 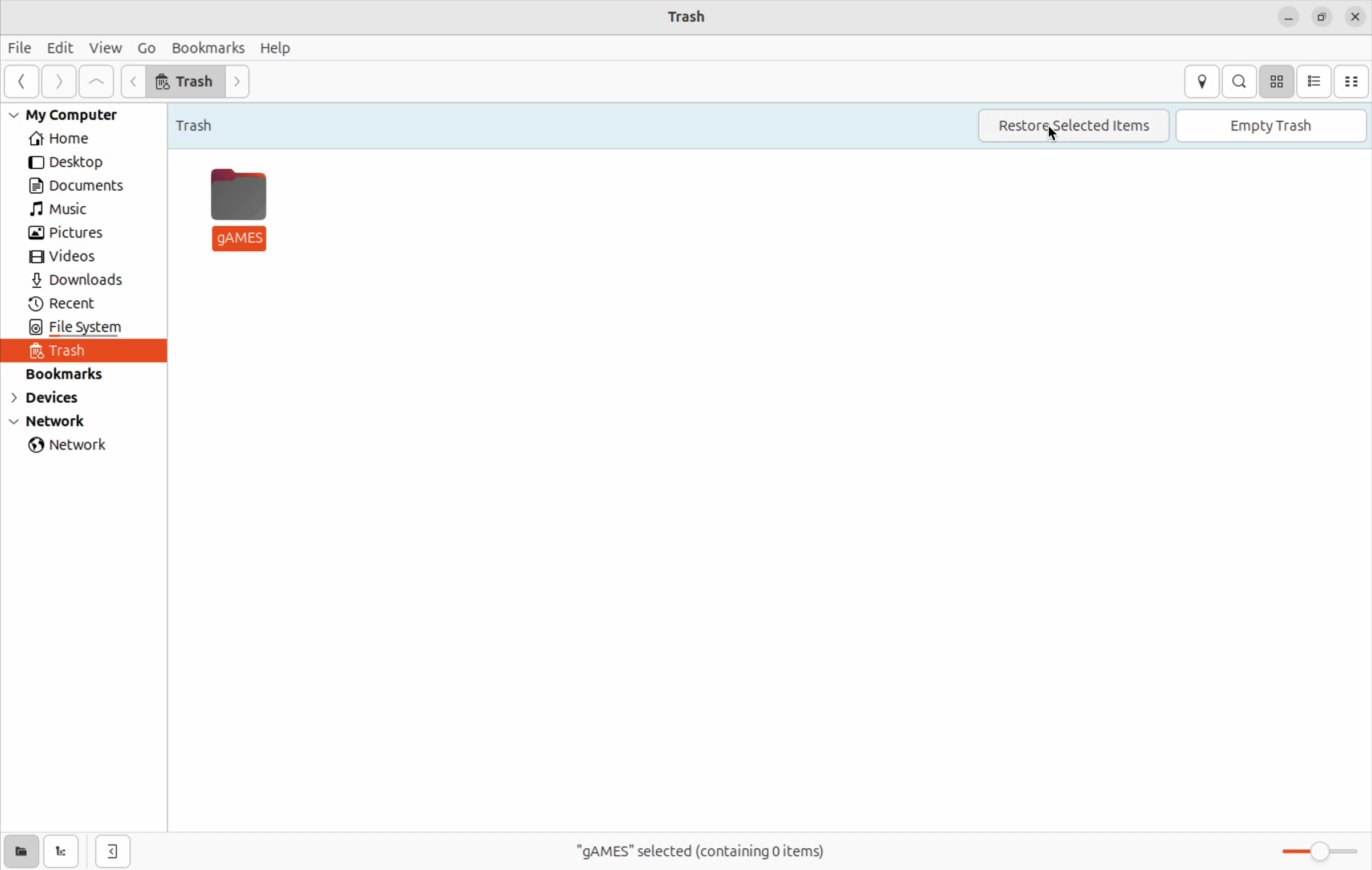 What do you see at coordinates (79, 139) in the screenshot?
I see `home` at bounding box center [79, 139].